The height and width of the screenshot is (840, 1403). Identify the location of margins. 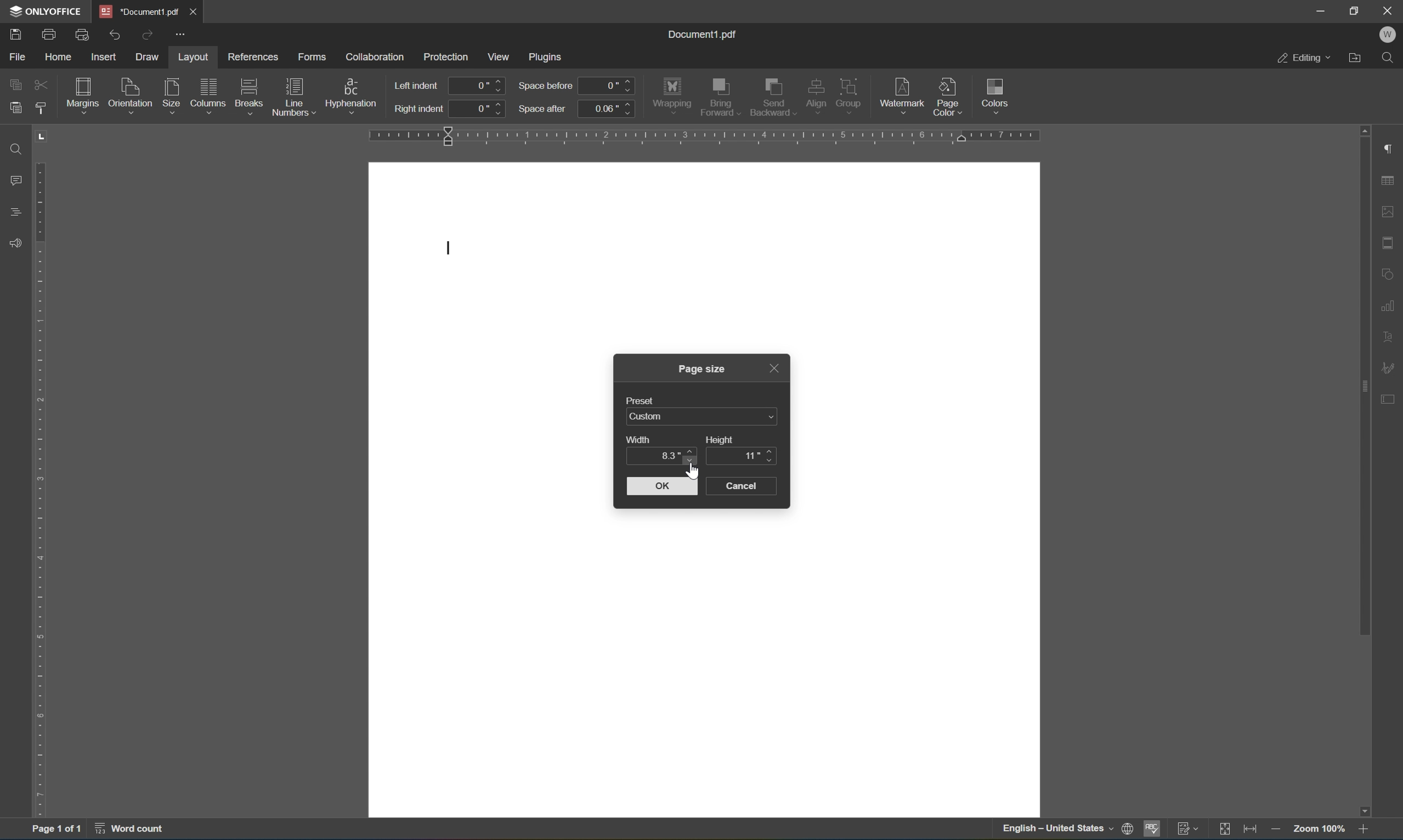
(82, 93).